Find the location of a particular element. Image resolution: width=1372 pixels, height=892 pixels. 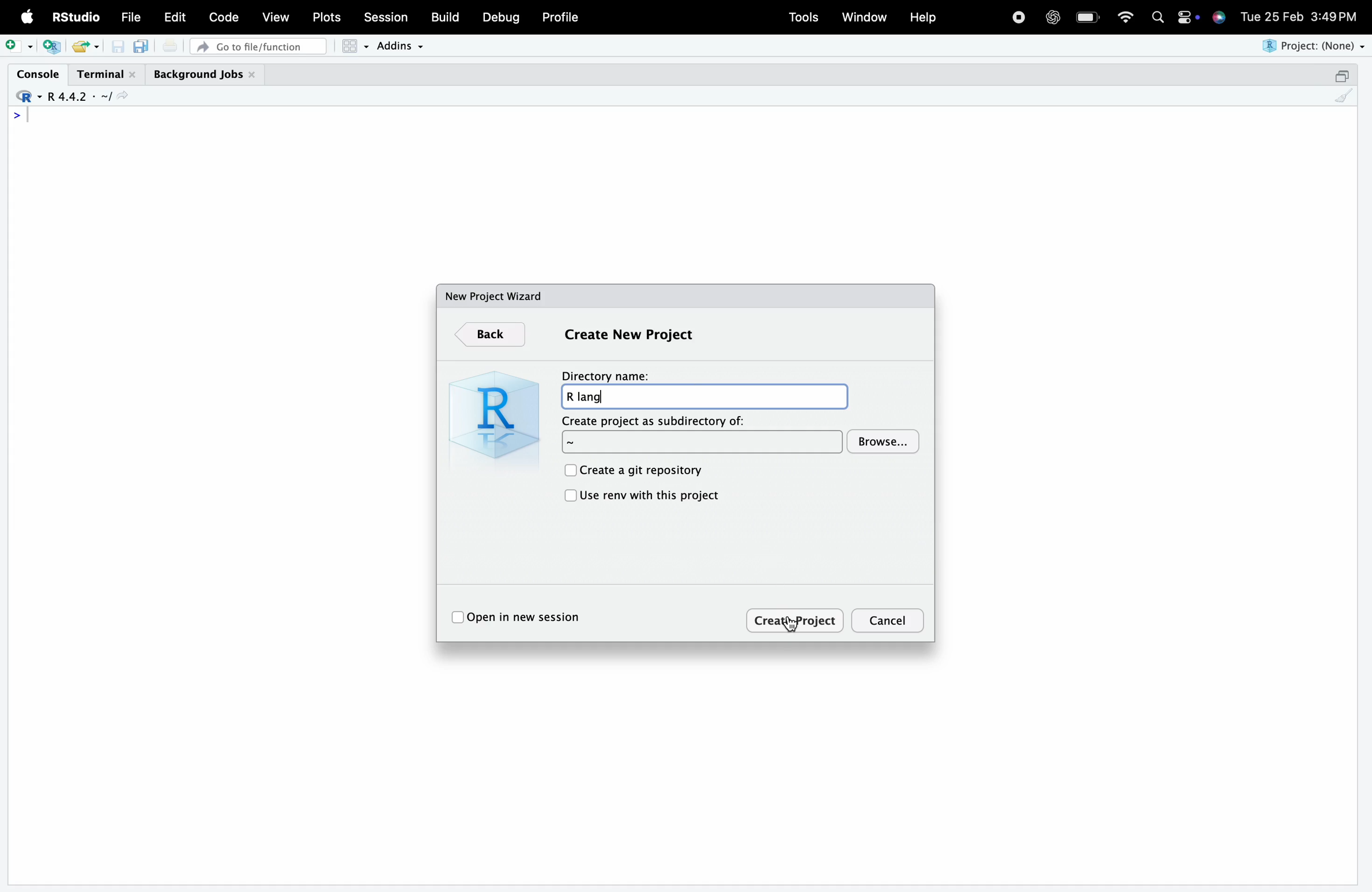

Use renv with this project is located at coordinates (651, 496).